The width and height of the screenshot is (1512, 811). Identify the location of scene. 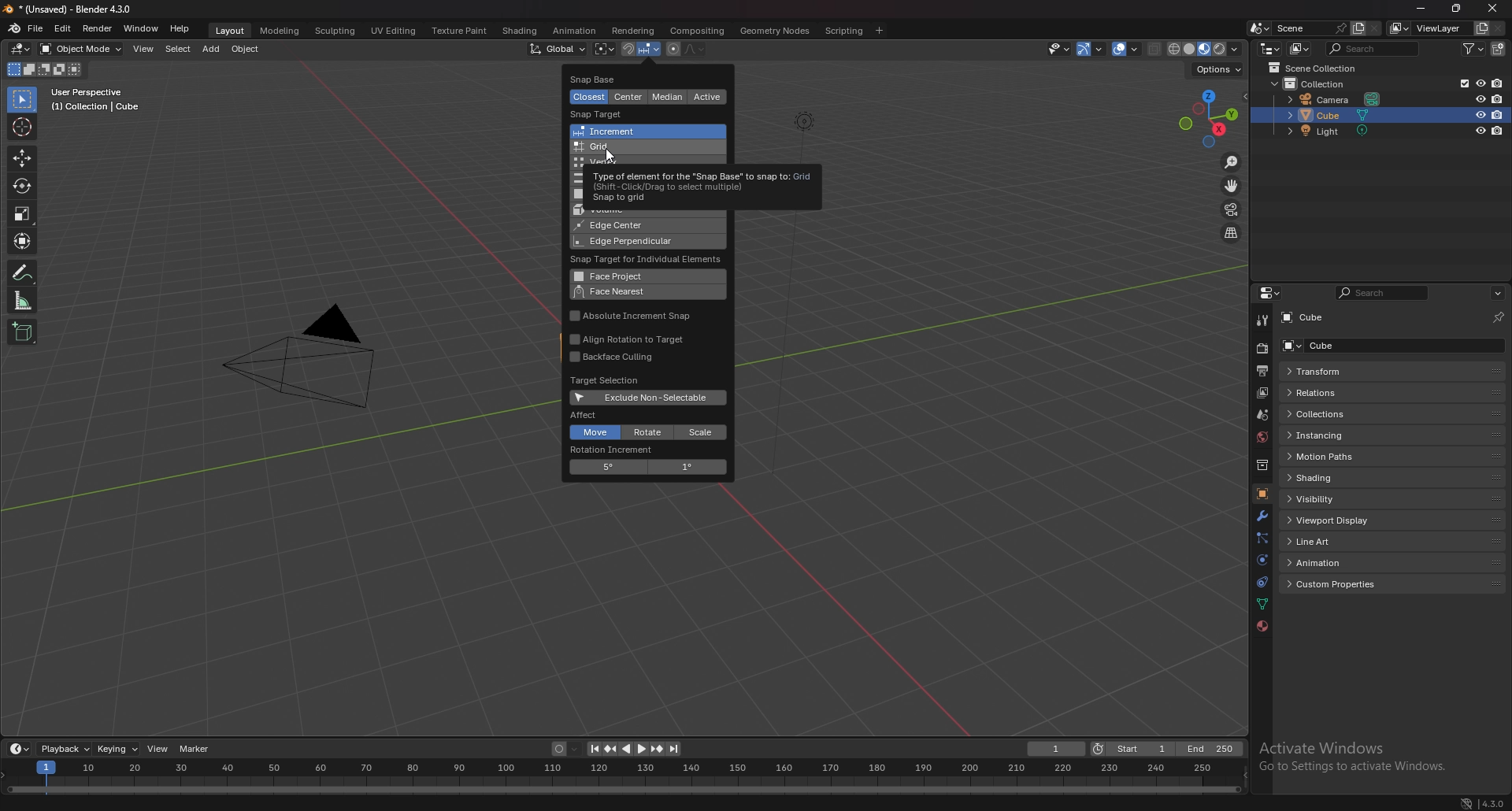
(1262, 415).